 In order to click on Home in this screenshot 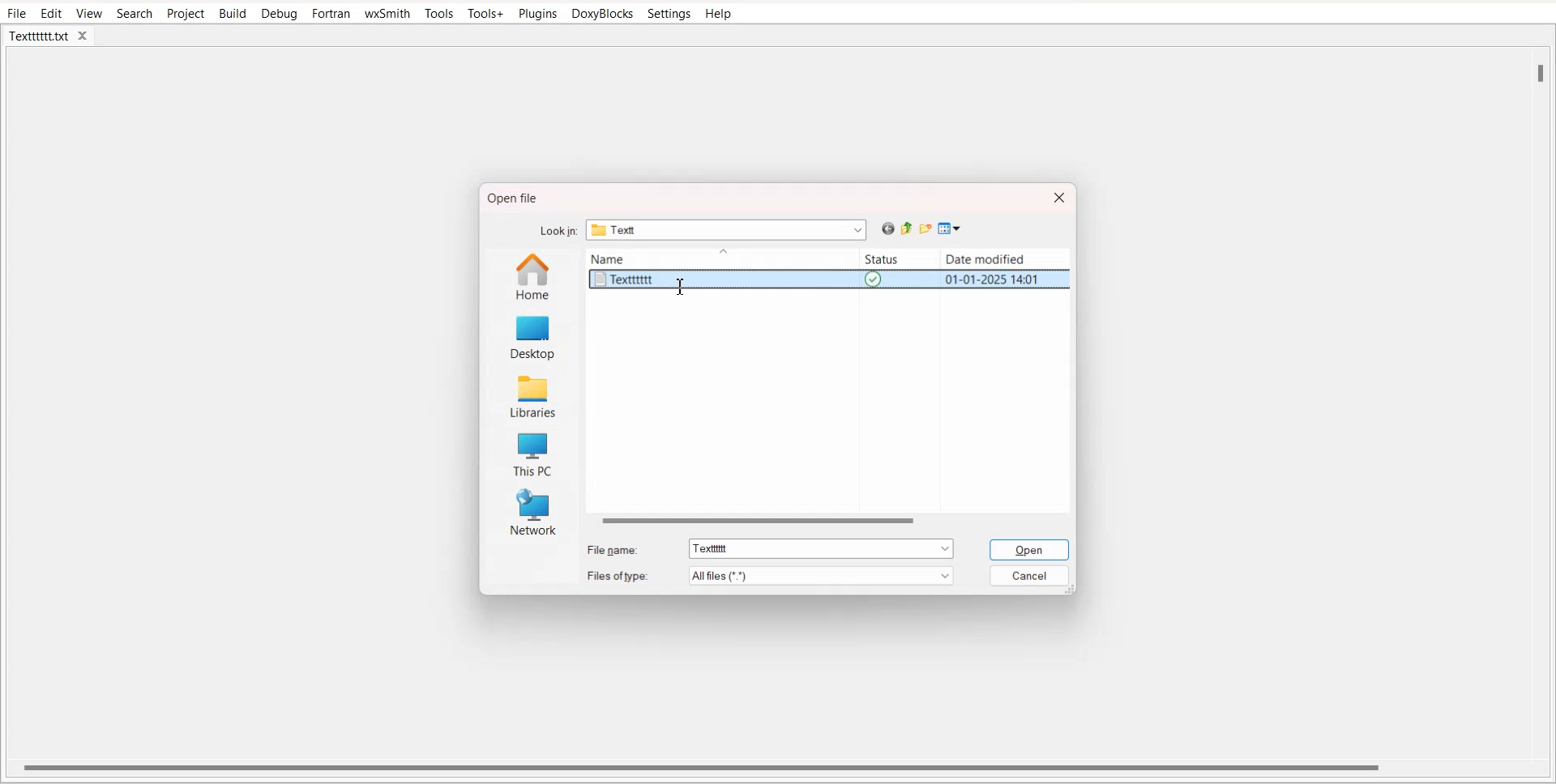, I will do `click(536, 277)`.